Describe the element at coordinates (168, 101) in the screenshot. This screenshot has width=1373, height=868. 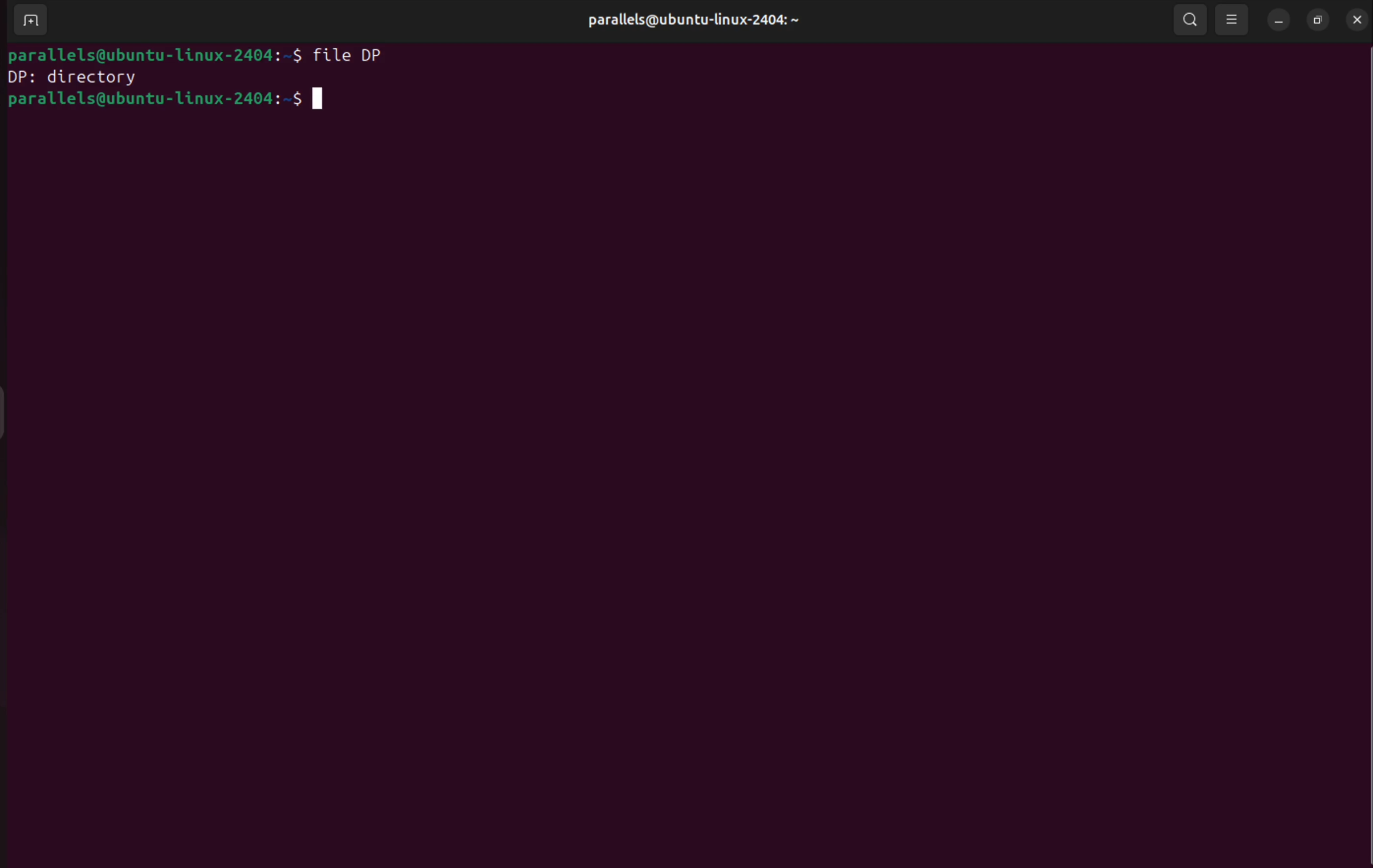
I see `bash prompt` at that location.